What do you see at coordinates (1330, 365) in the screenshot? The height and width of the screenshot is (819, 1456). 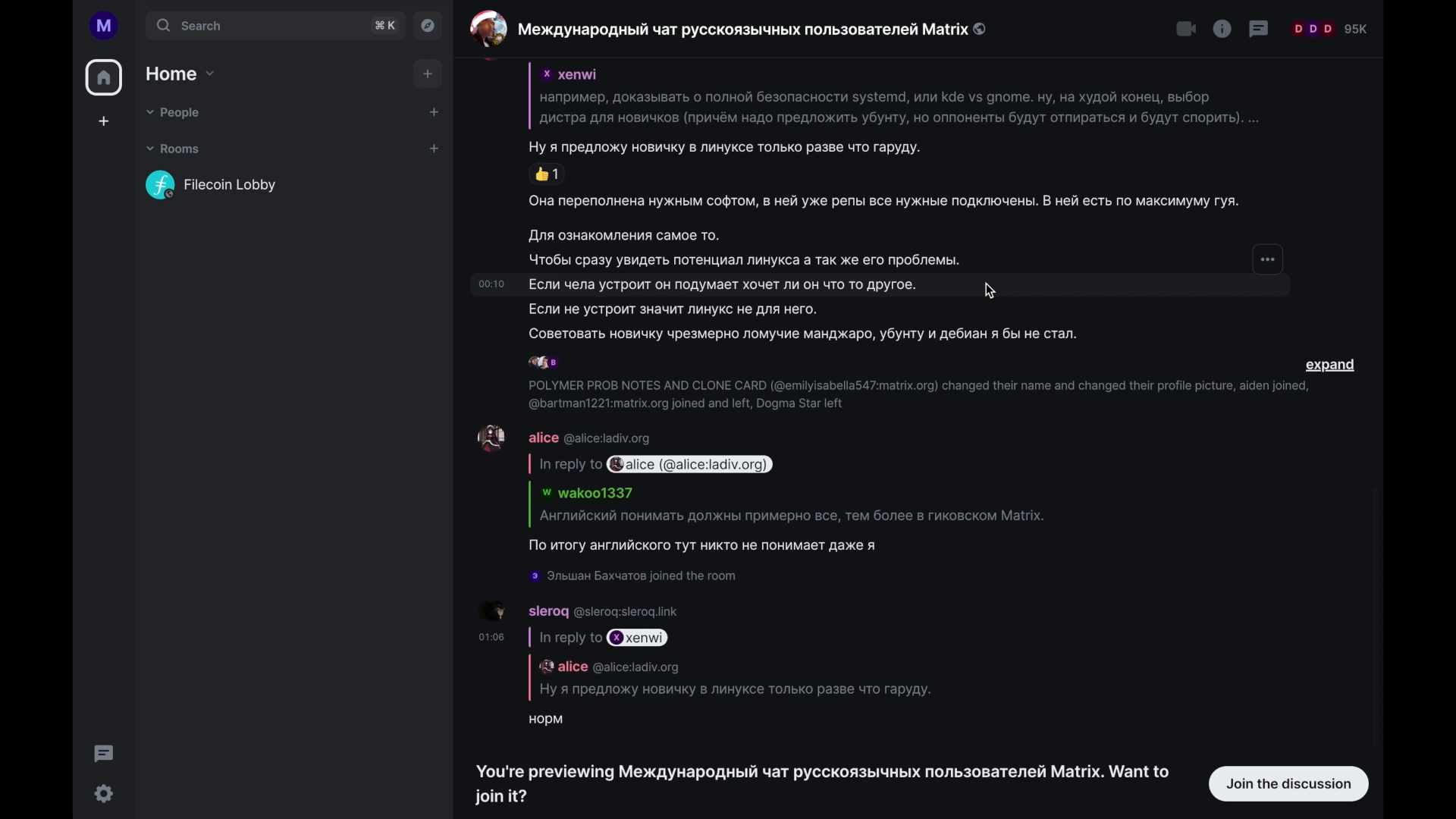 I see `expand` at bounding box center [1330, 365].